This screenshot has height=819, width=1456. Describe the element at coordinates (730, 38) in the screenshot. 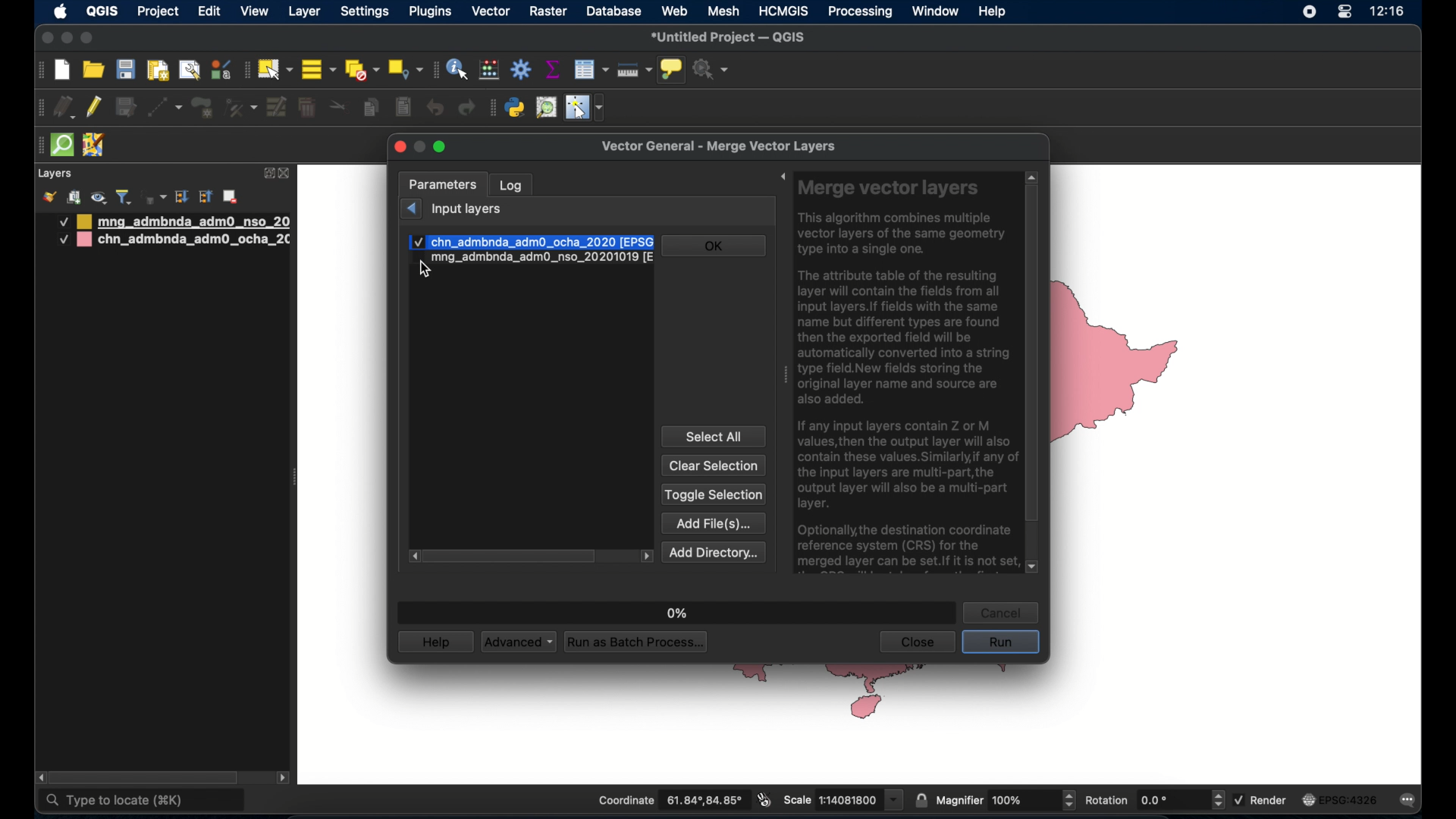

I see `untitled project - QGIS` at that location.